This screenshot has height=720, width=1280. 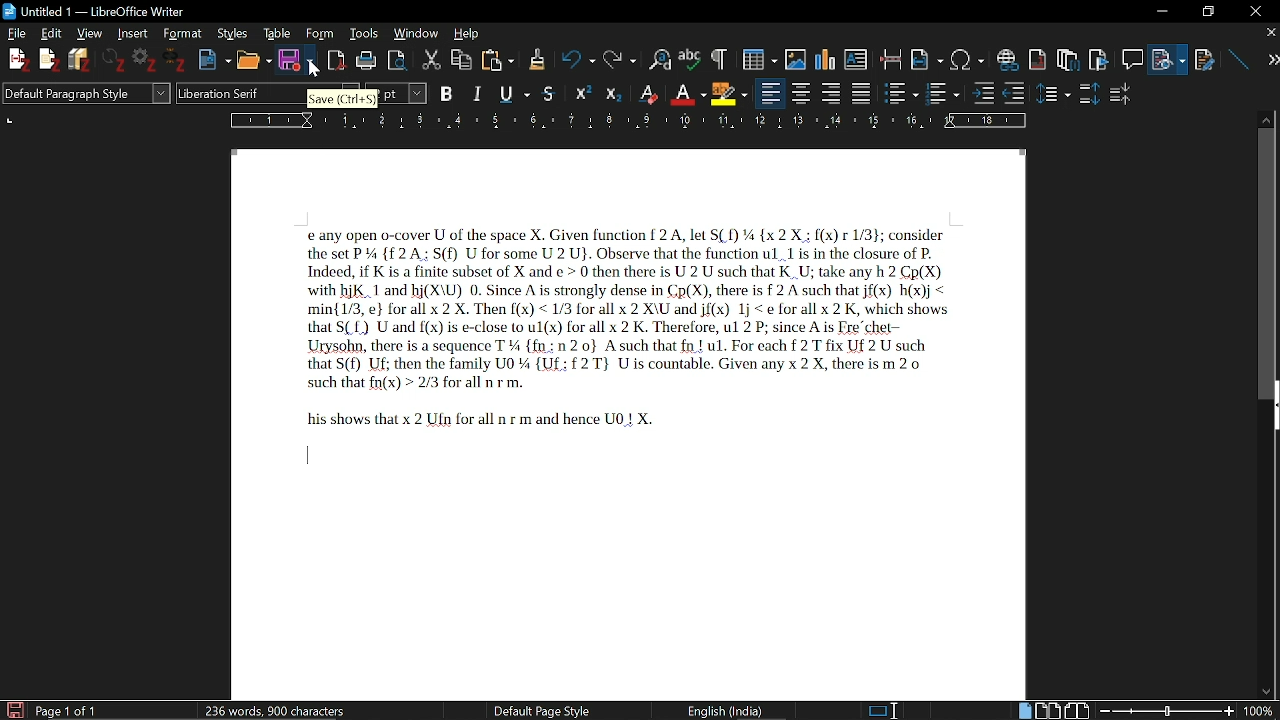 I want to click on maximize, so click(x=1207, y=10).